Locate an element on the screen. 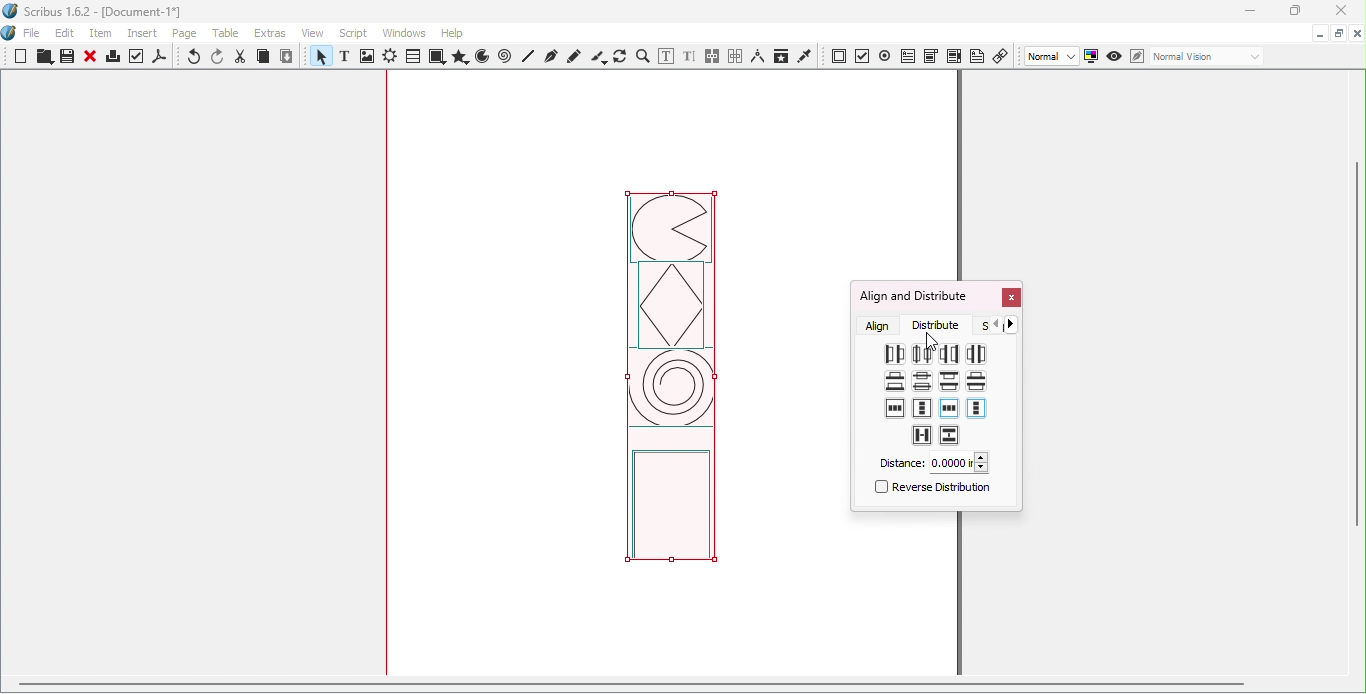 This screenshot has height=694, width=1366. PDF list box is located at coordinates (954, 56).